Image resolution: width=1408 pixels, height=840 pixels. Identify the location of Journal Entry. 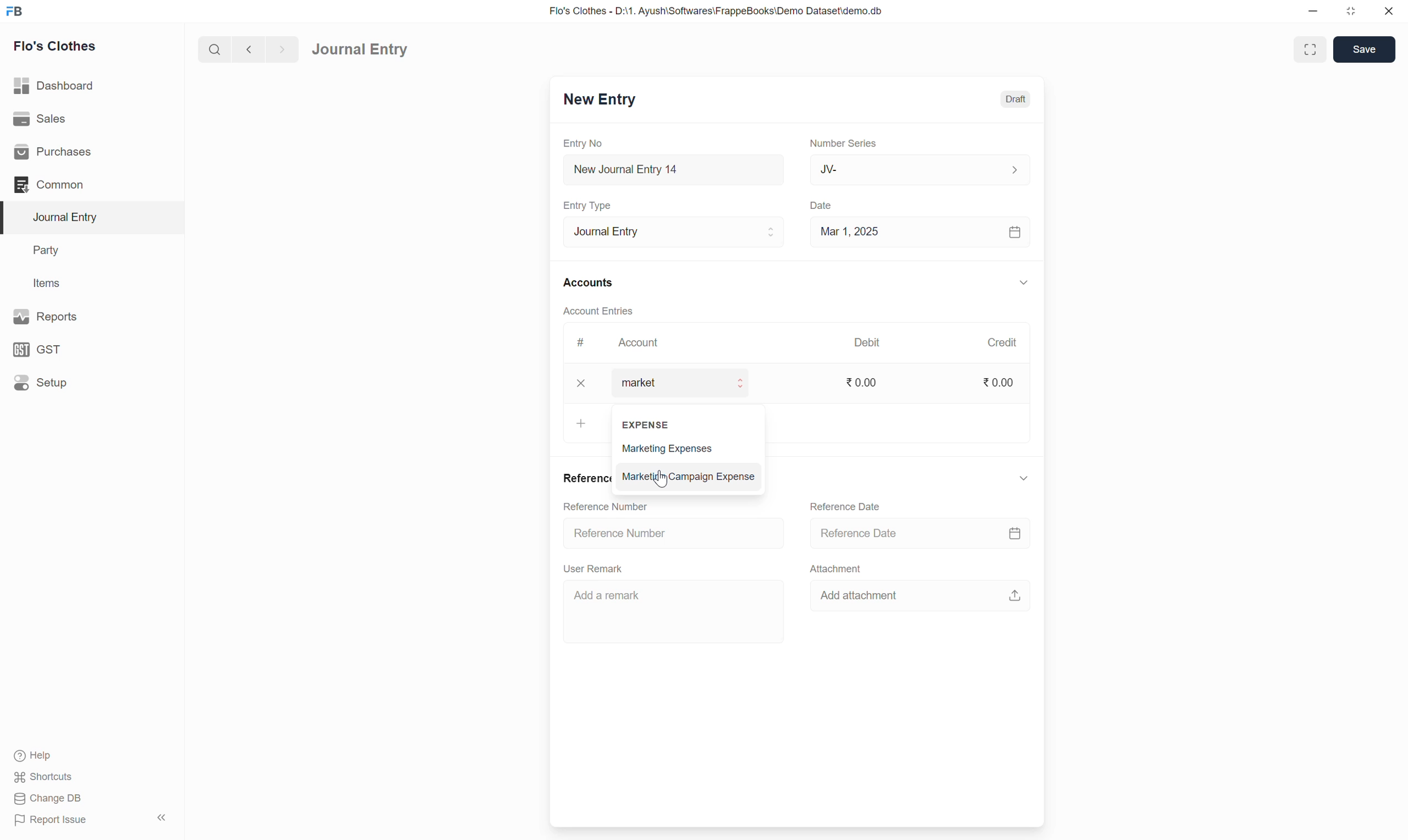
(70, 217).